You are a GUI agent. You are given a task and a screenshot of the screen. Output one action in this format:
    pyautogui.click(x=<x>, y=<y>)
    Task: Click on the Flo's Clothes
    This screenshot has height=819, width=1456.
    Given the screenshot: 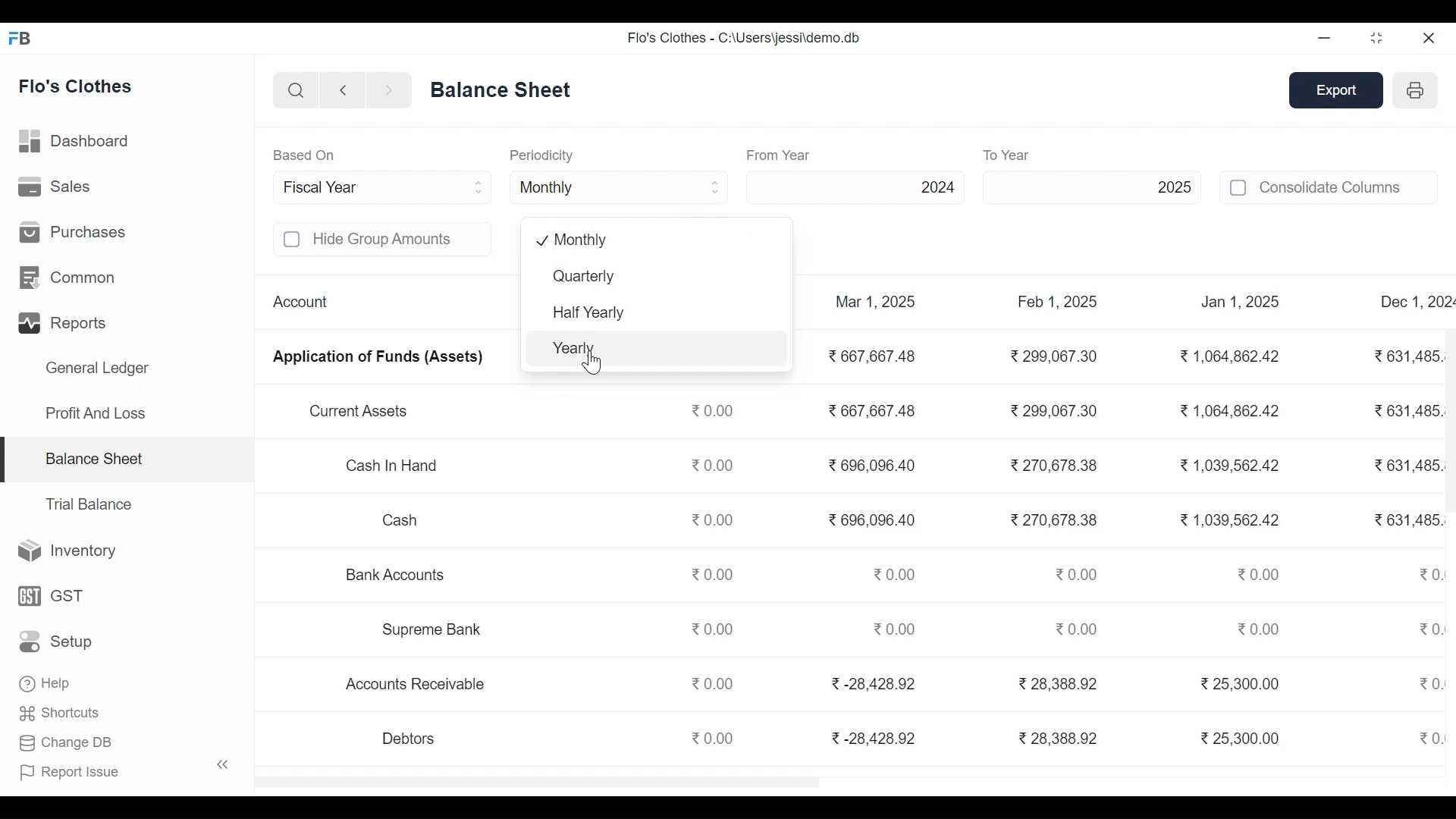 What is the action you would take?
    pyautogui.click(x=77, y=88)
    